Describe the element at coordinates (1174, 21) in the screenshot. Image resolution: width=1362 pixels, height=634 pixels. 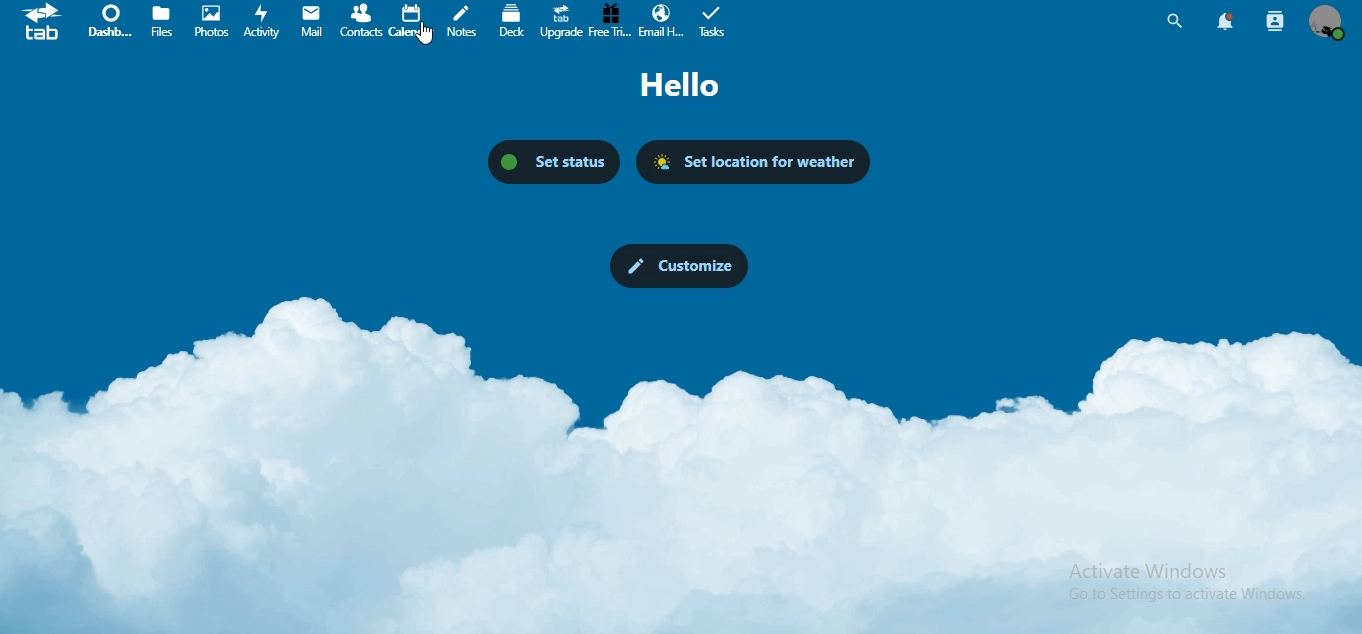
I see `search` at that location.